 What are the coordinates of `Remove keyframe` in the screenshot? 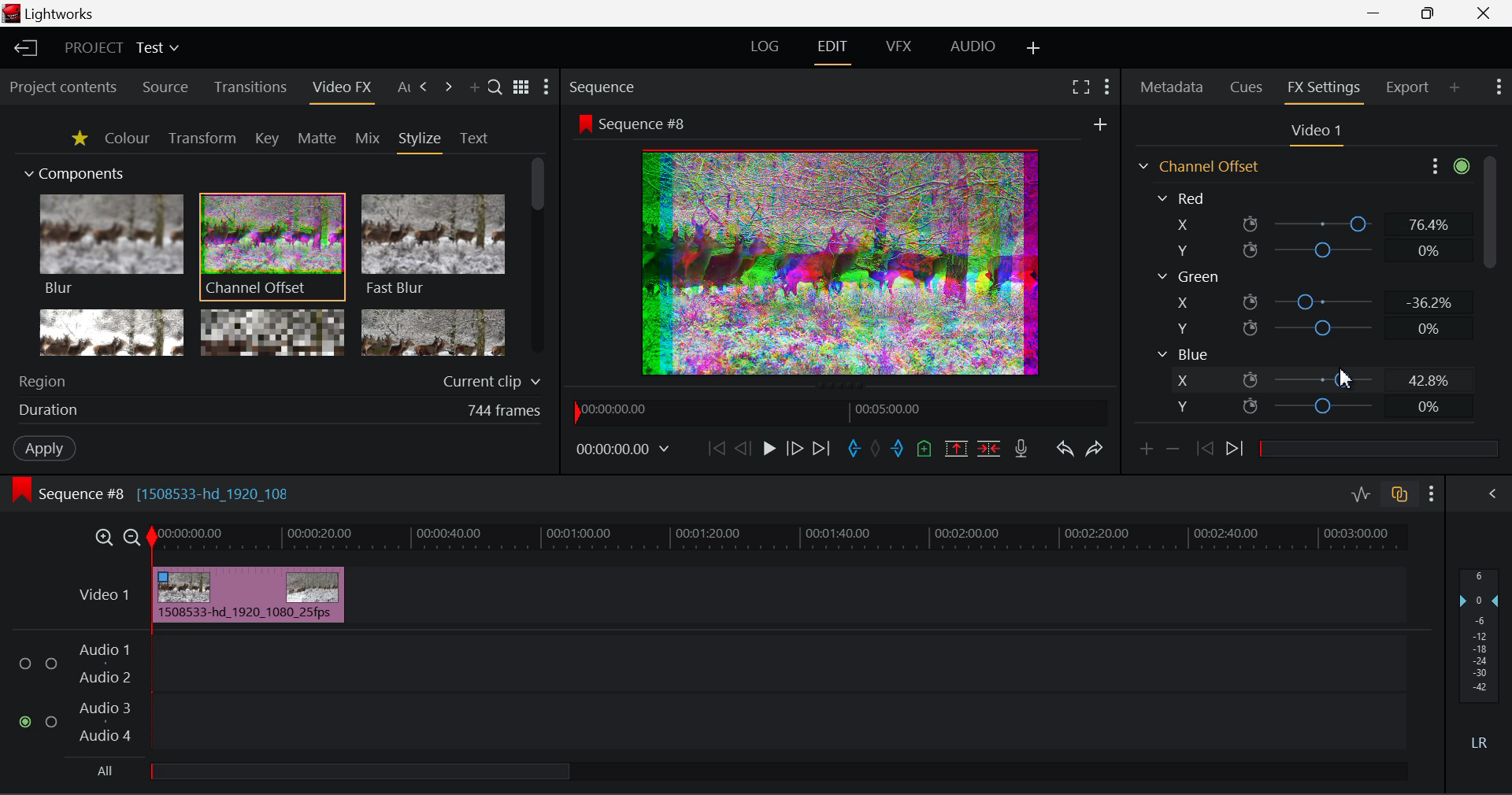 It's located at (1173, 453).